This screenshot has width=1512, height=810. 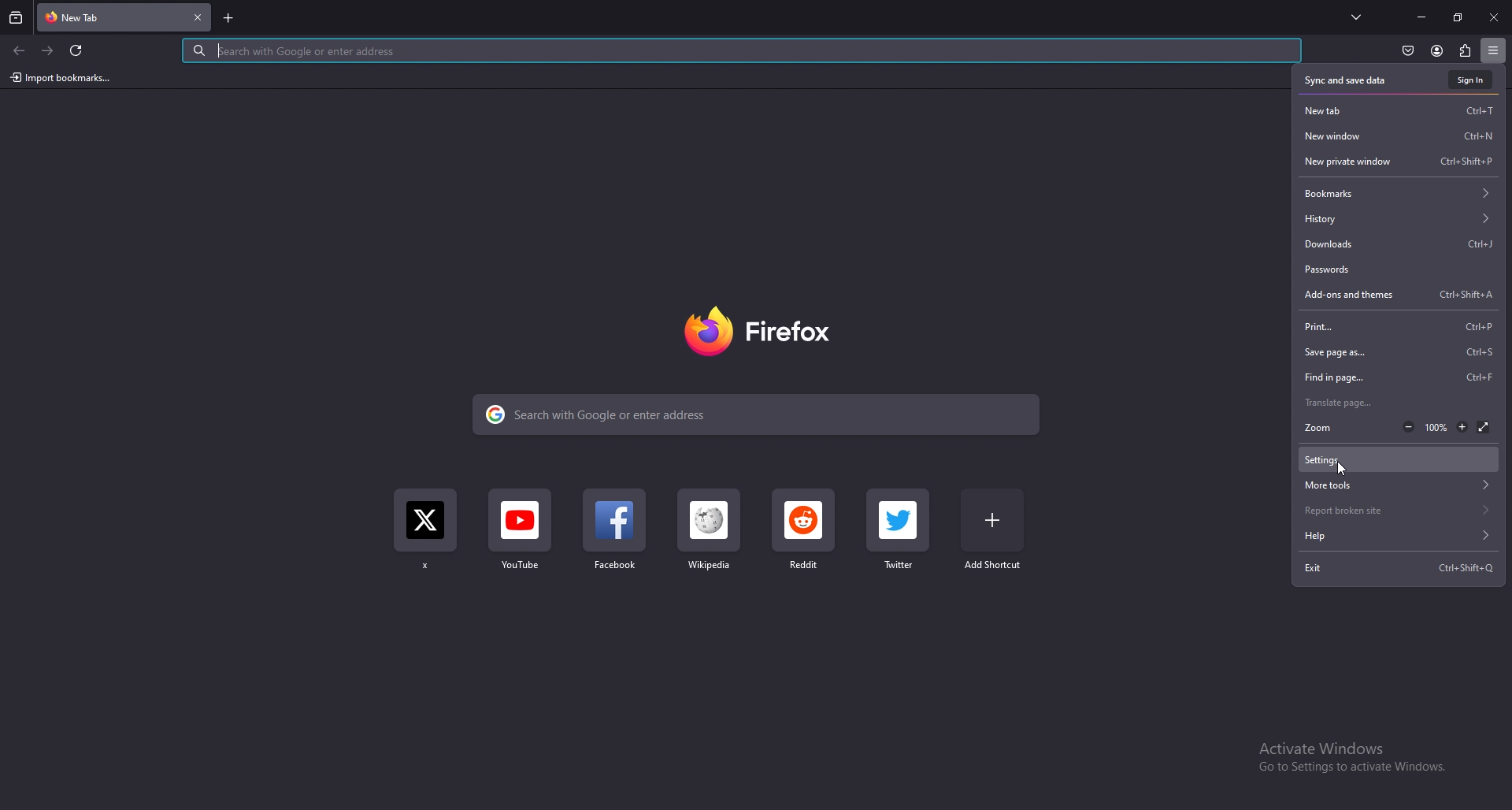 What do you see at coordinates (1356, 17) in the screenshot?
I see `list all tabs` at bounding box center [1356, 17].